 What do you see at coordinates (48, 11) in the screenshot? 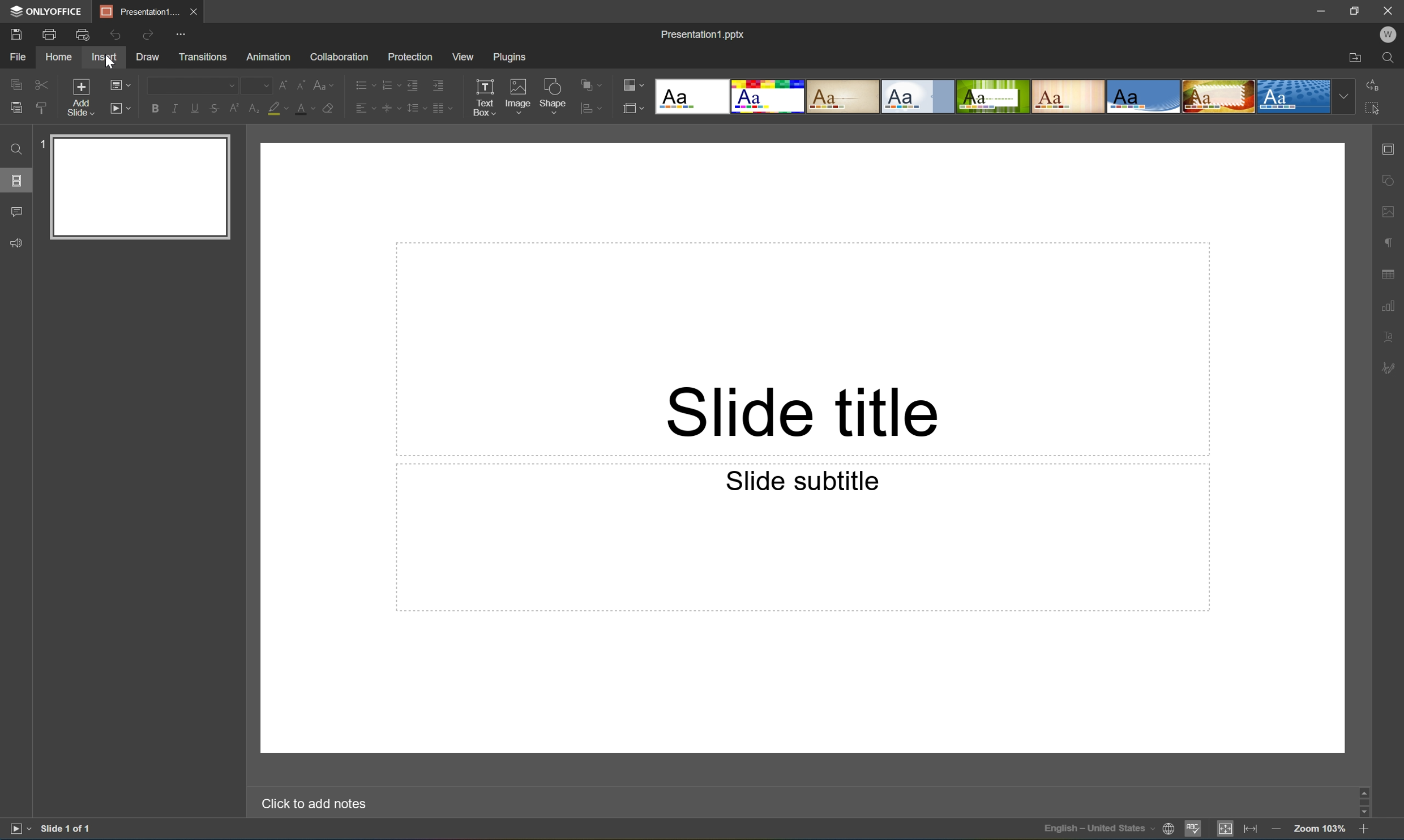
I see `ONLYOFFICE` at bounding box center [48, 11].